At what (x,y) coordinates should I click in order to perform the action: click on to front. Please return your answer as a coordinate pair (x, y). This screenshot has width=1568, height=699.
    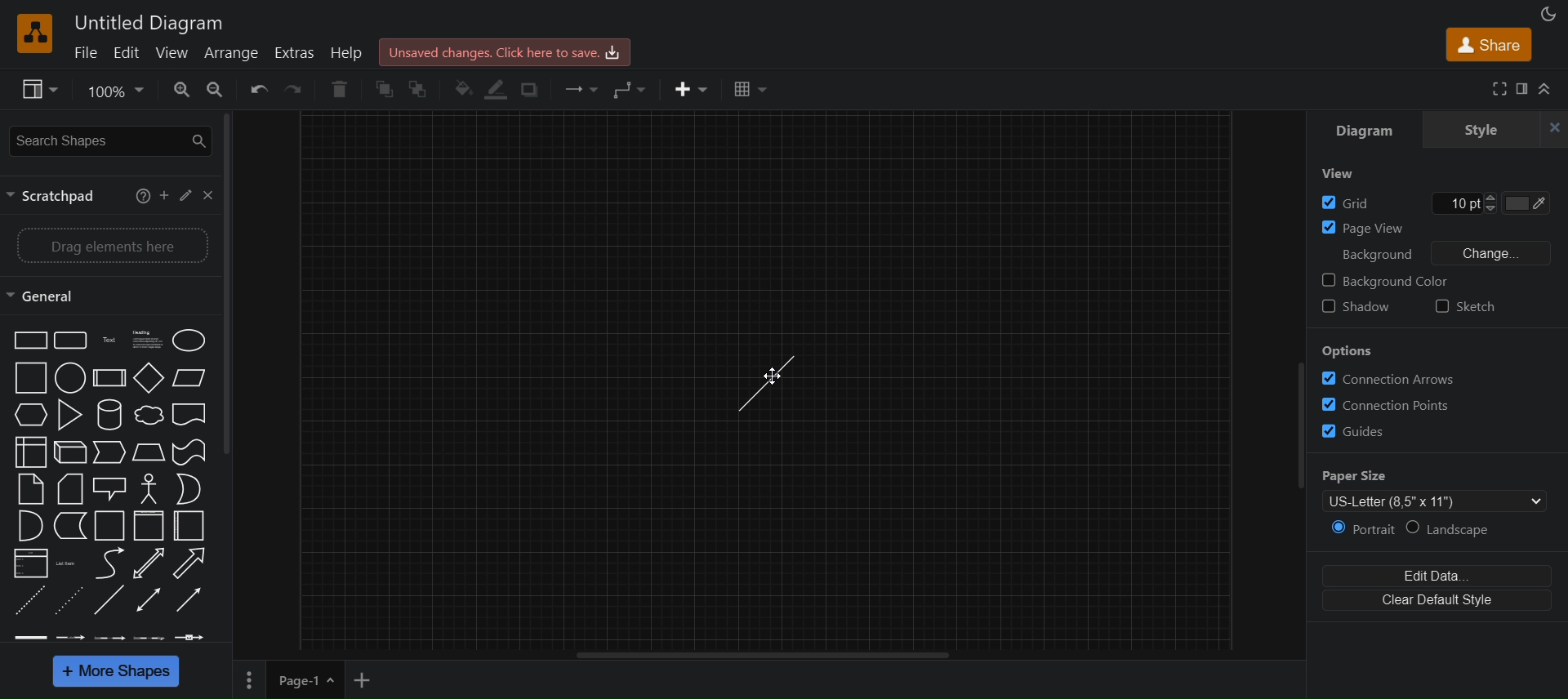
    Looking at the image, I should click on (385, 89).